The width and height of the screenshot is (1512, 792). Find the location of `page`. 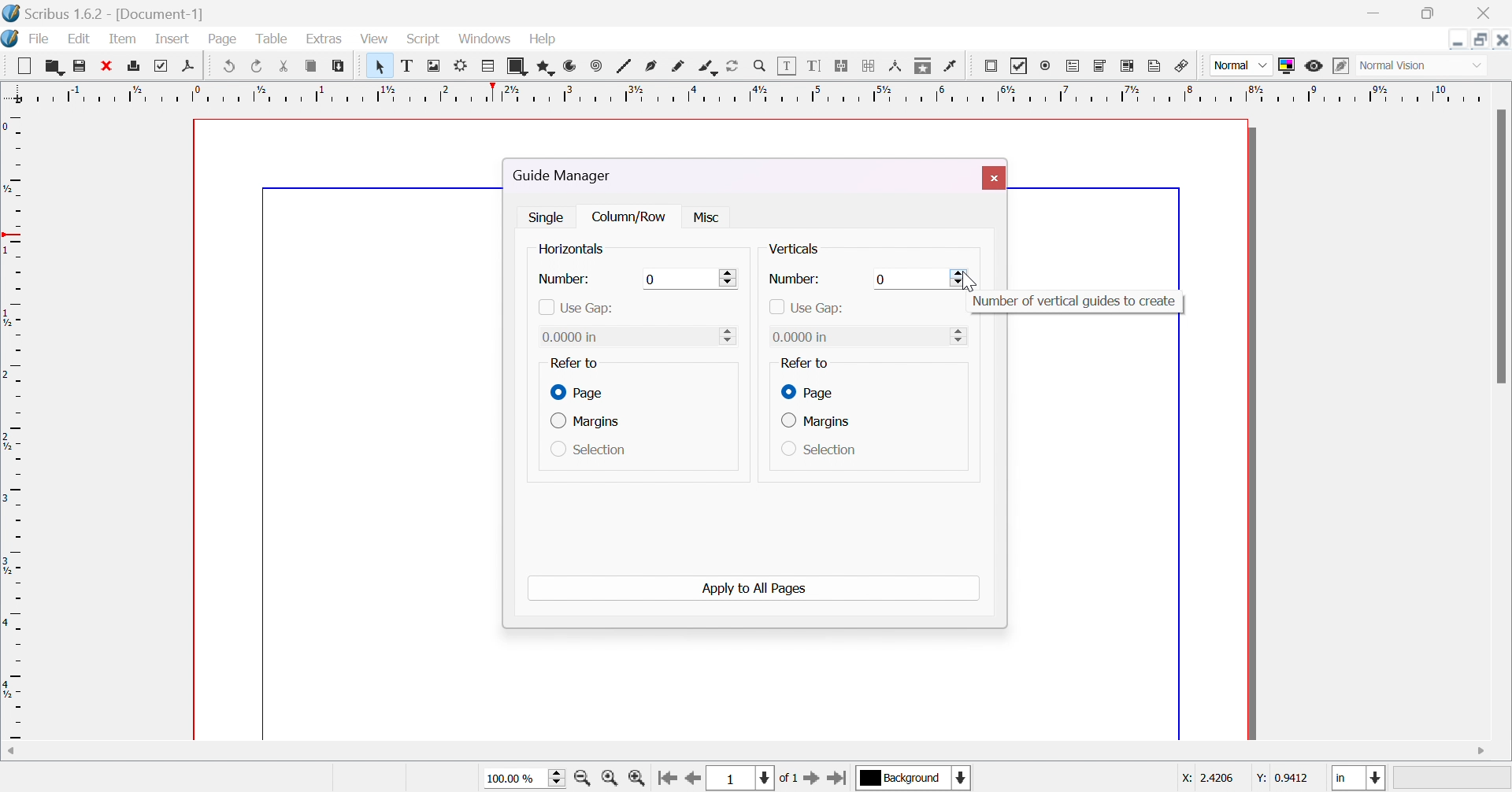

page is located at coordinates (580, 393).